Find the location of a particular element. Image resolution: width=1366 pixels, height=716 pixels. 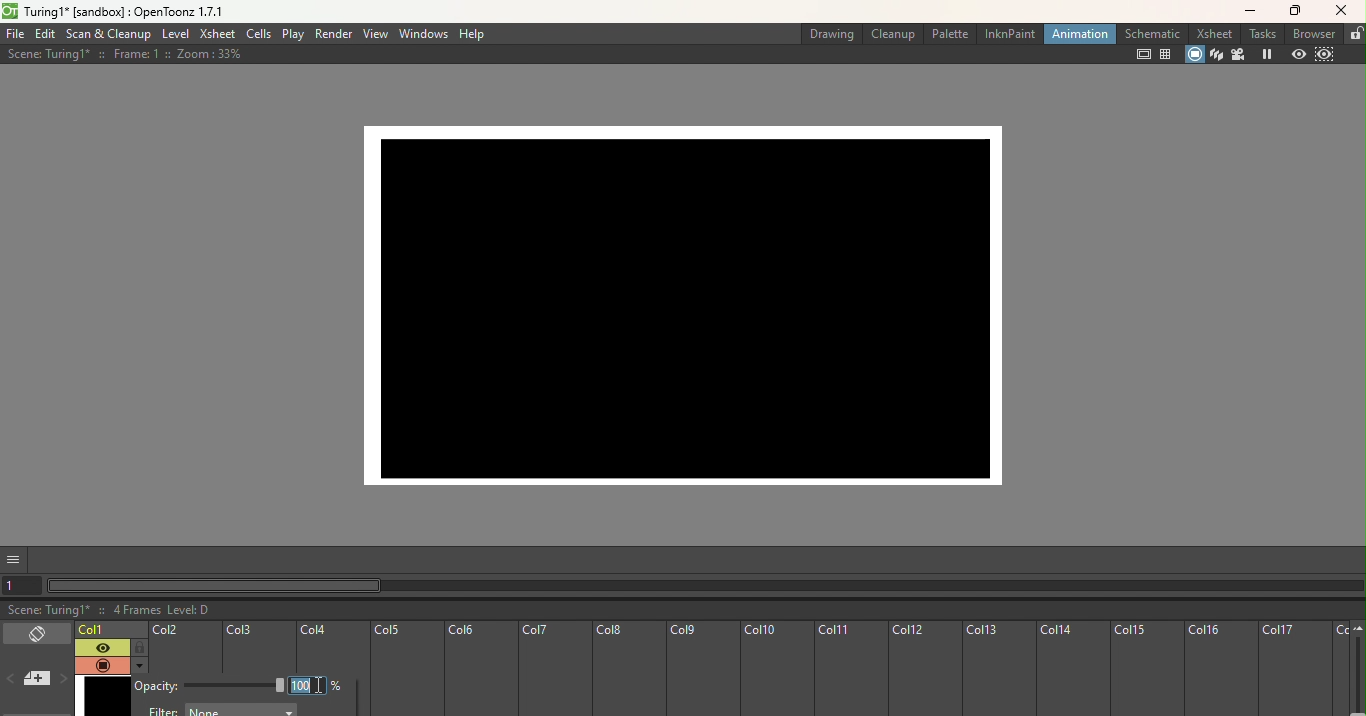

Preview is located at coordinates (1297, 53).